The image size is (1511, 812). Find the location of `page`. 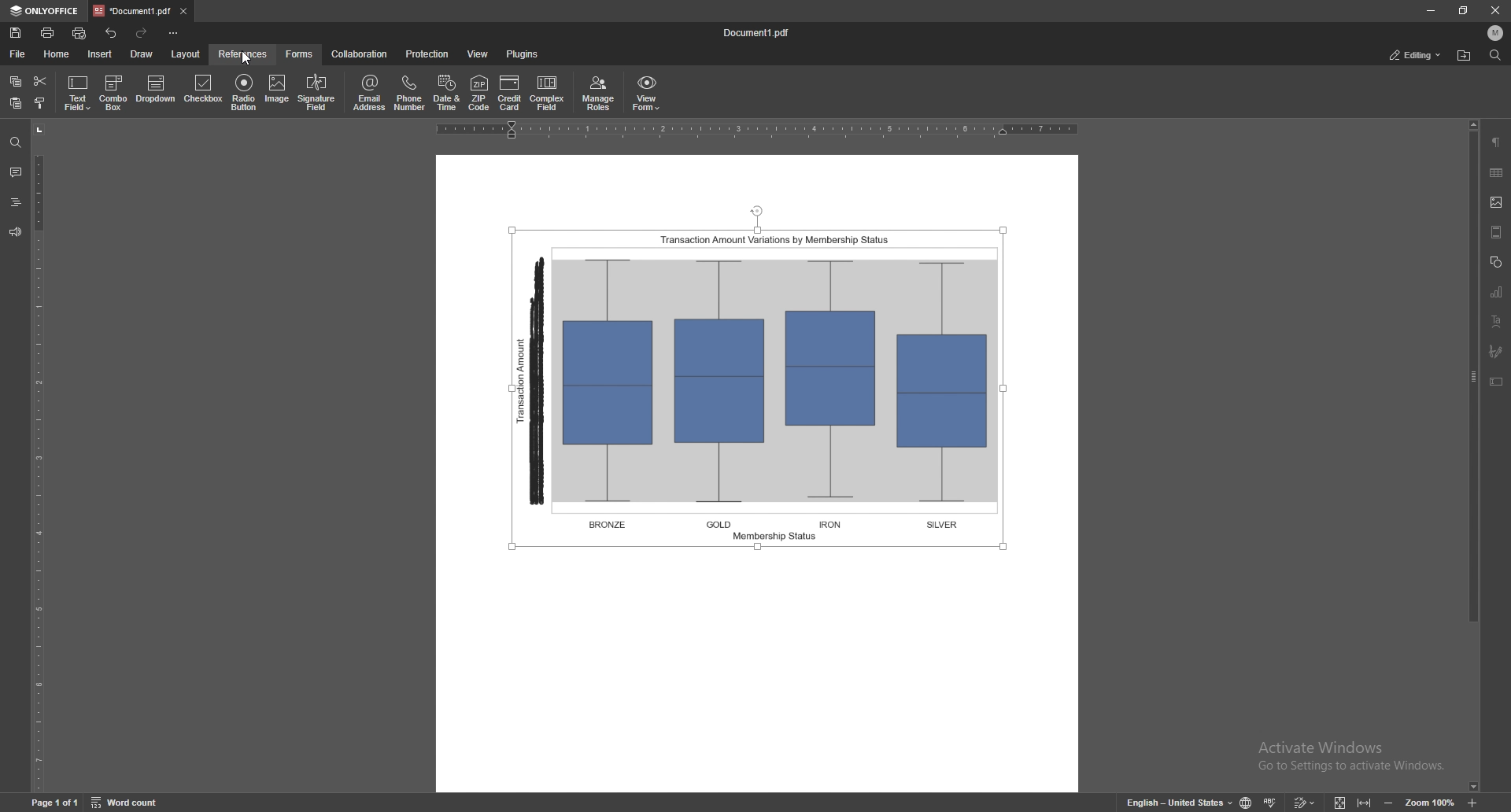

page is located at coordinates (54, 801).